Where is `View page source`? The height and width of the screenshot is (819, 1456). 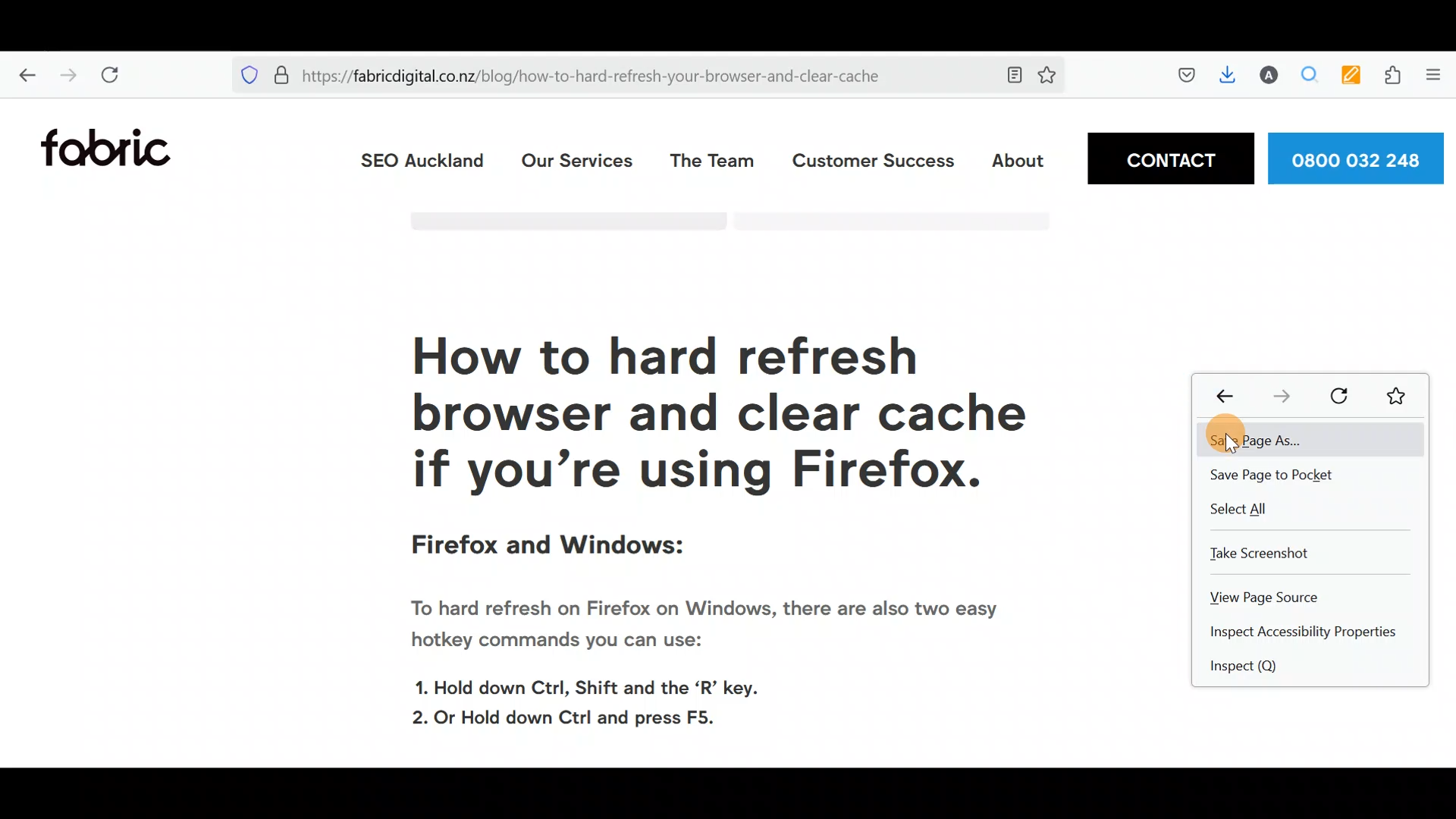
View page source is located at coordinates (1271, 595).